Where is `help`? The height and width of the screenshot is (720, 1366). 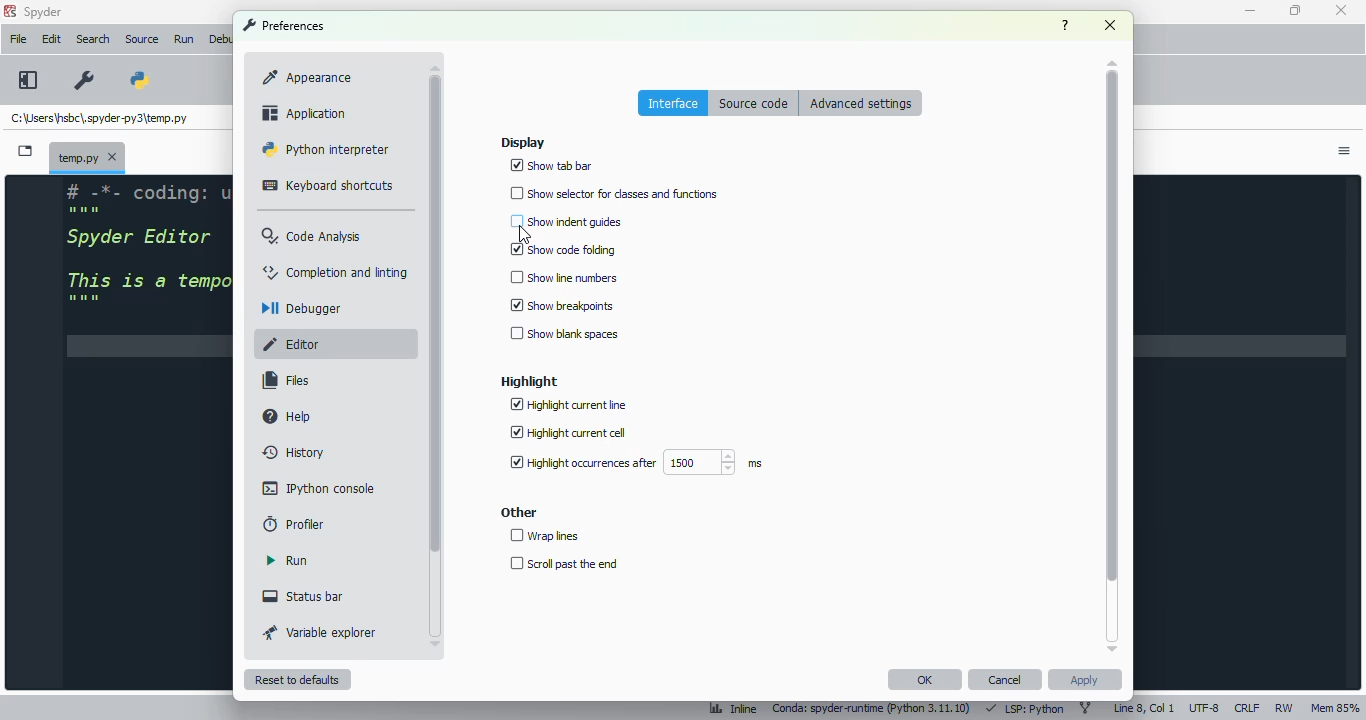
help is located at coordinates (1065, 25).